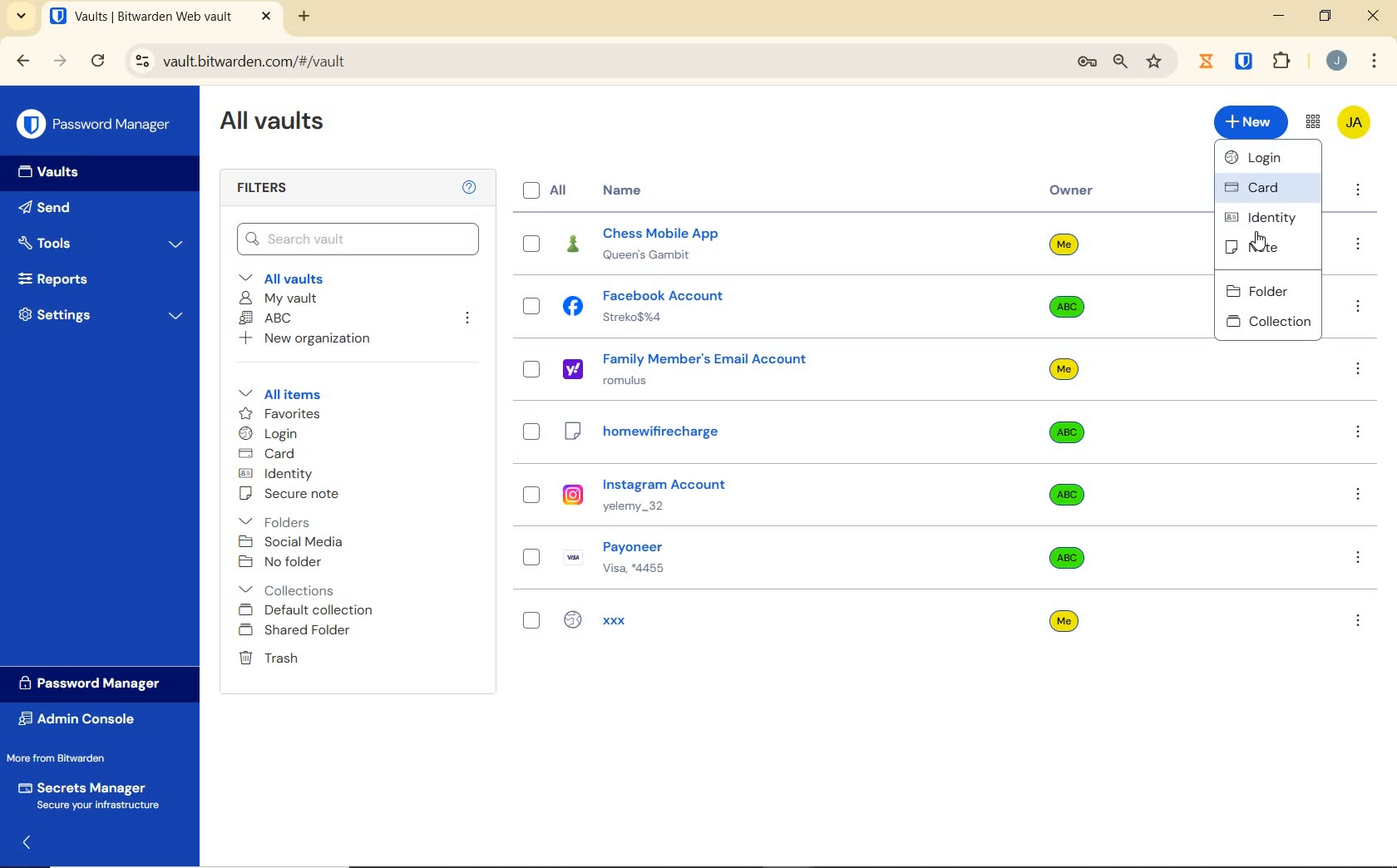 Image resolution: width=1397 pixels, height=868 pixels. What do you see at coordinates (297, 279) in the screenshot?
I see `All vaults` at bounding box center [297, 279].